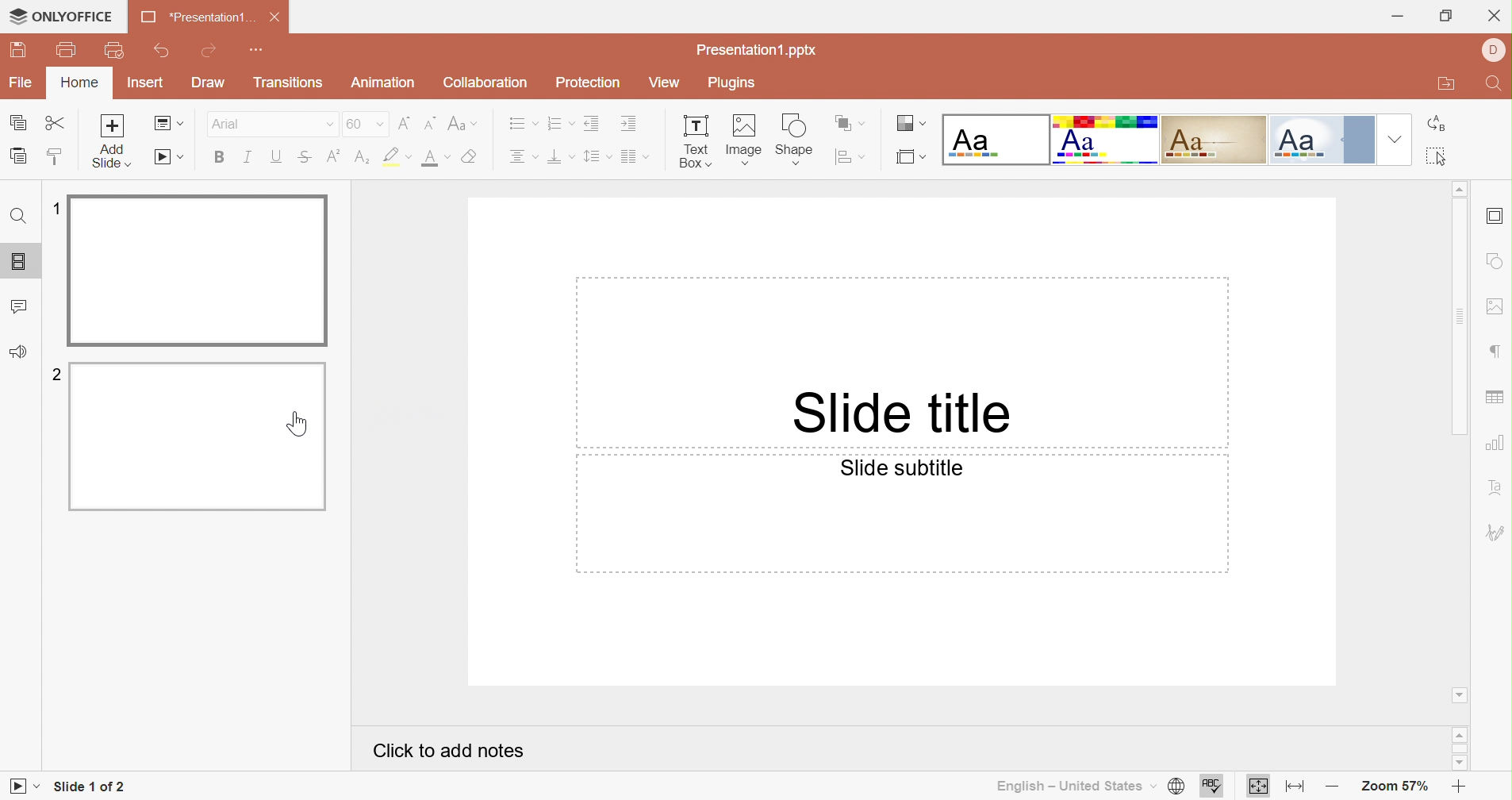  What do you see at coordinates (1389, 785) in the screenshot?
I see `Zoom 57%` at bounding box center [1389, 785].